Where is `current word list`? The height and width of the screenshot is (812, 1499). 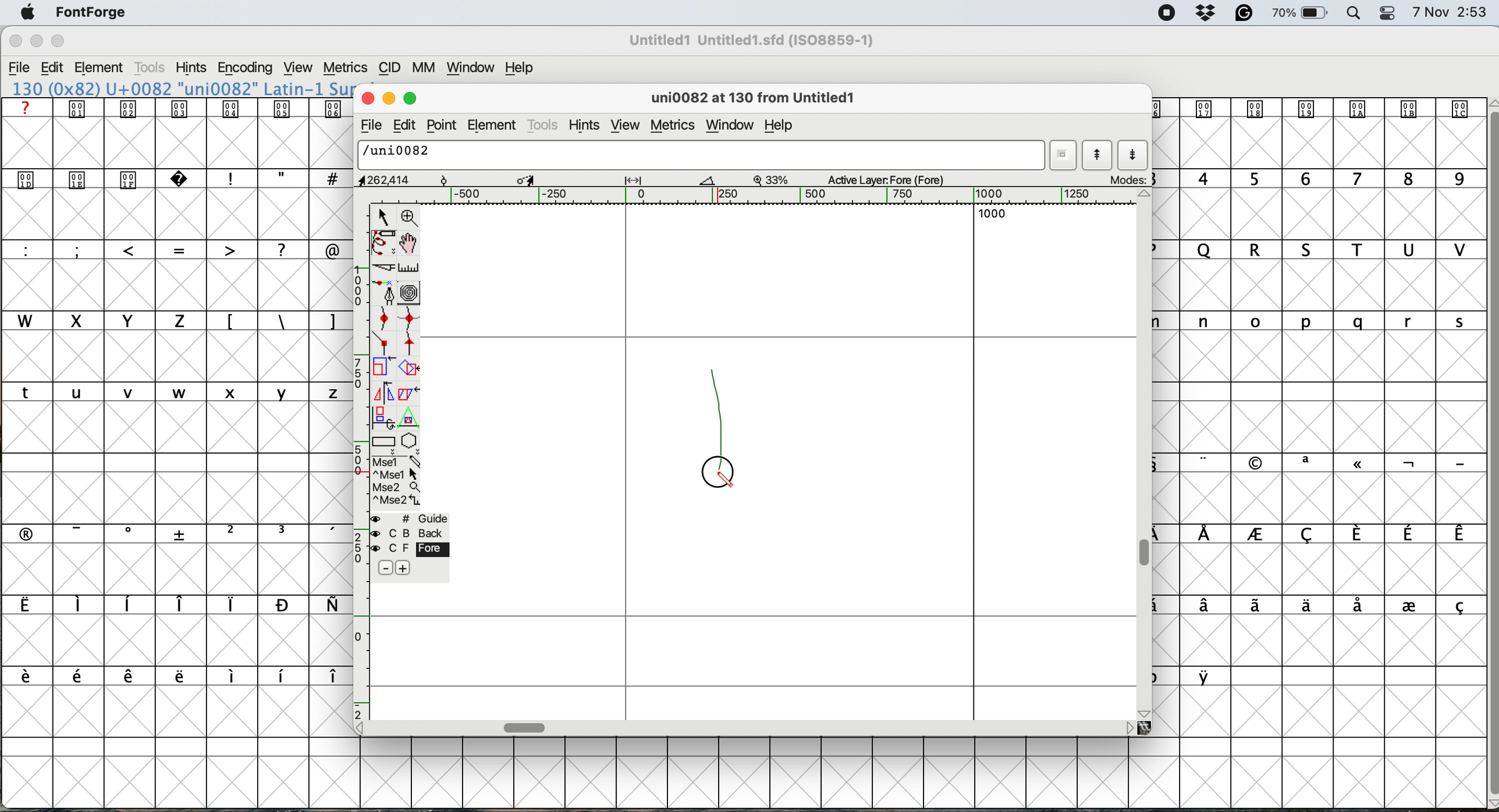 current word list is located at coordinates (1065, 155).